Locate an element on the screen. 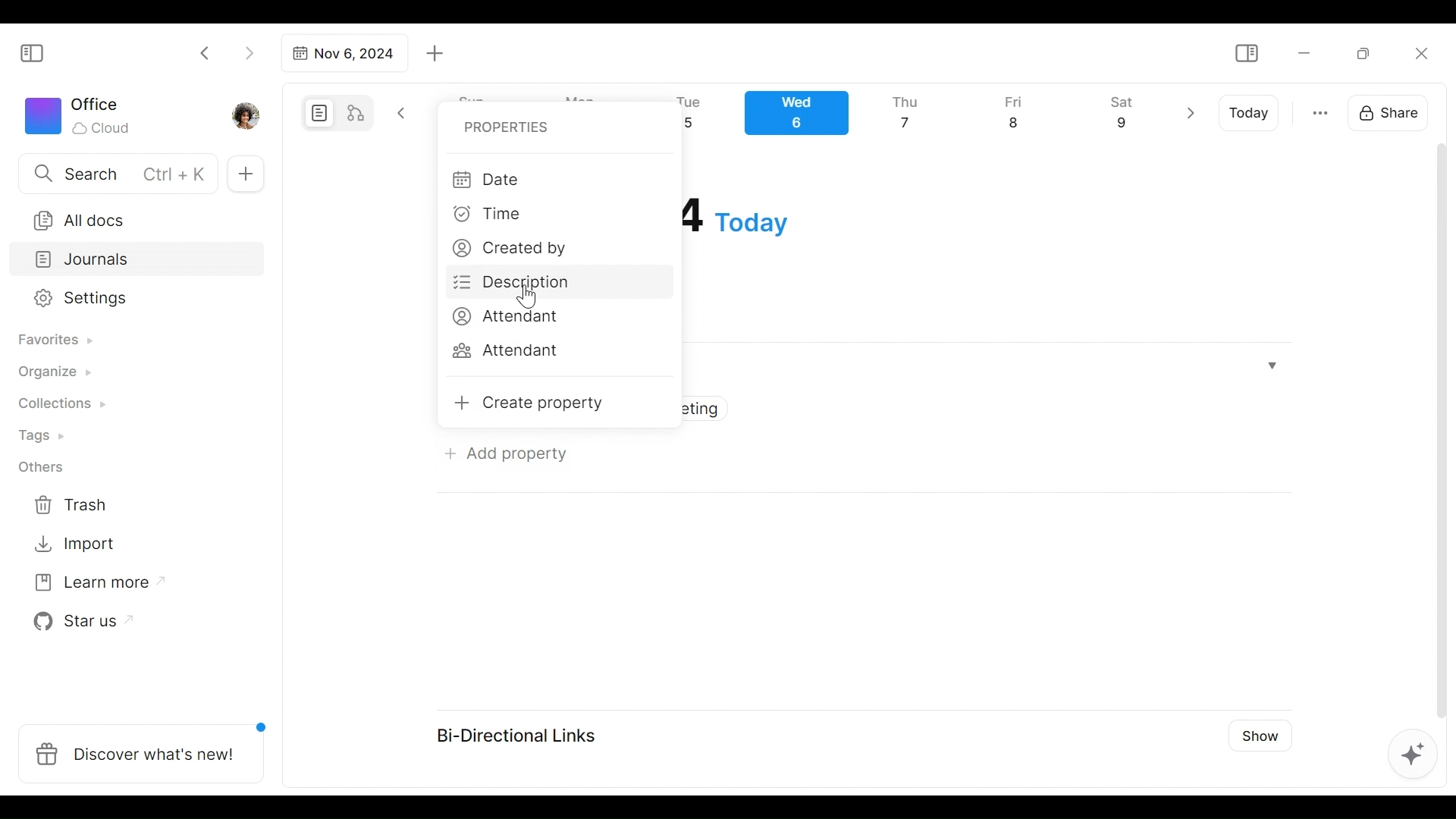  Restore is located at coordinates (1369, 52).